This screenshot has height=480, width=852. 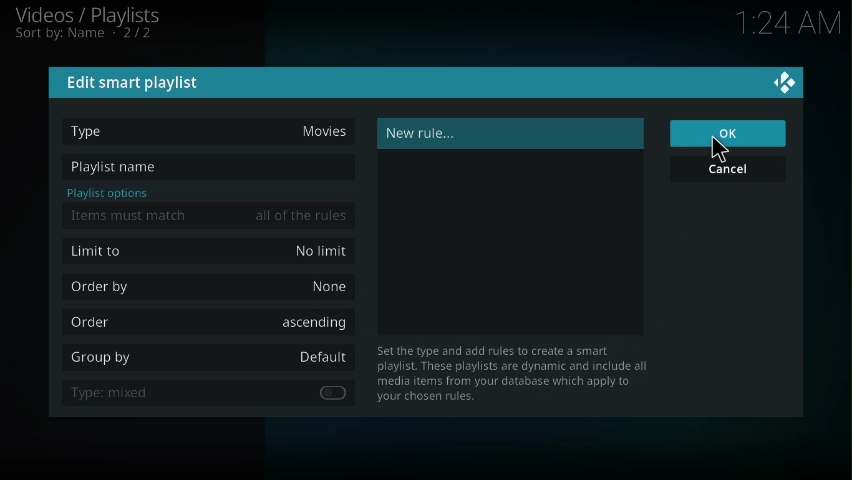 I want to click on limit to, so click(x=99, y=252).